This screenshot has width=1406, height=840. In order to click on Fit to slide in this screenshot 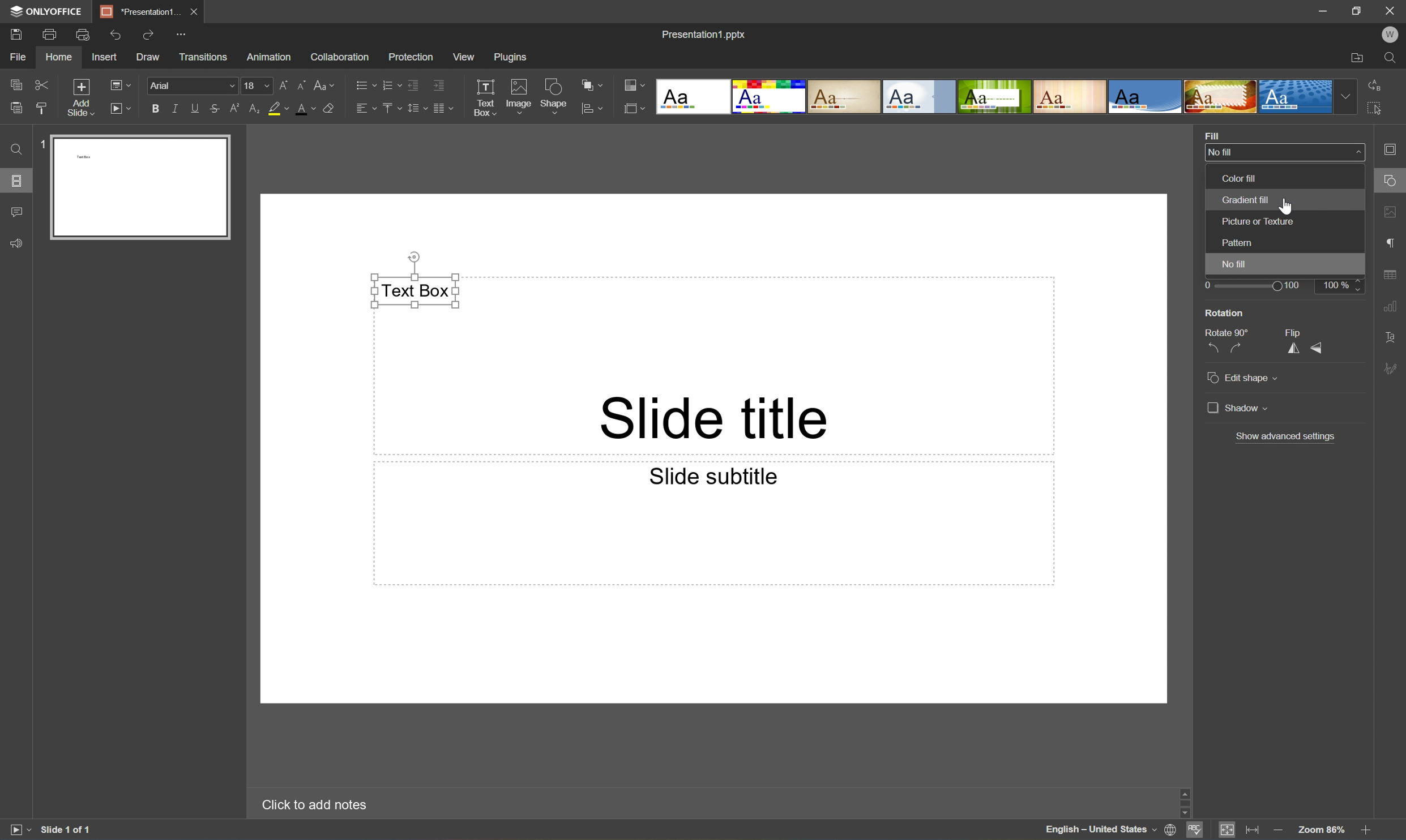, I will do `click(1228, 830)`.